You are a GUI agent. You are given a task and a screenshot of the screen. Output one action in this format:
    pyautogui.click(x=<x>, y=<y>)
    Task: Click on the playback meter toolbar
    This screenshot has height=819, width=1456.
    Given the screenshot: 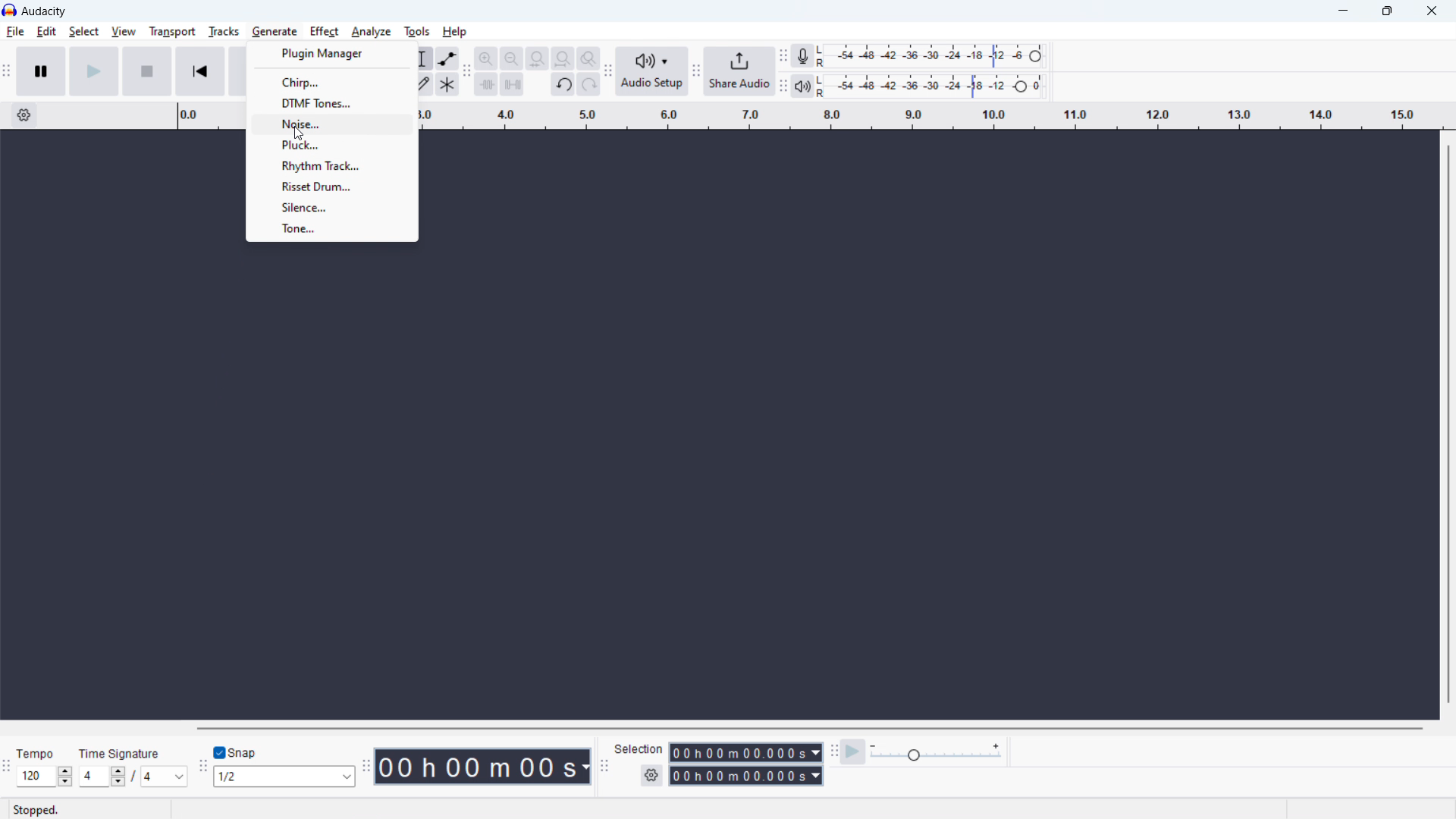 What is the action you would take?
    pyautogui.click(x=782, y=86)
    